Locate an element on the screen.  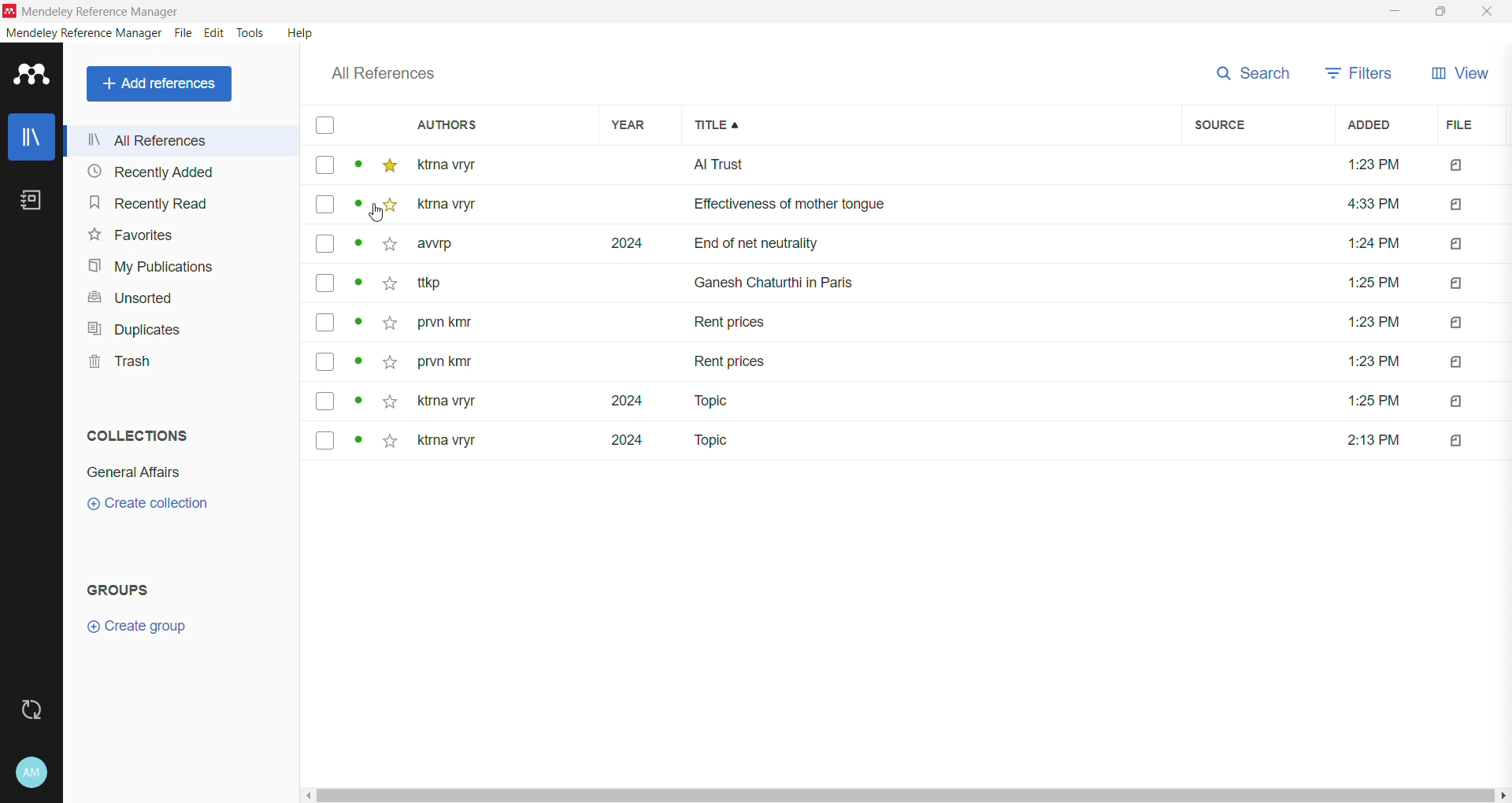
star is located at coordinates (390, 400).